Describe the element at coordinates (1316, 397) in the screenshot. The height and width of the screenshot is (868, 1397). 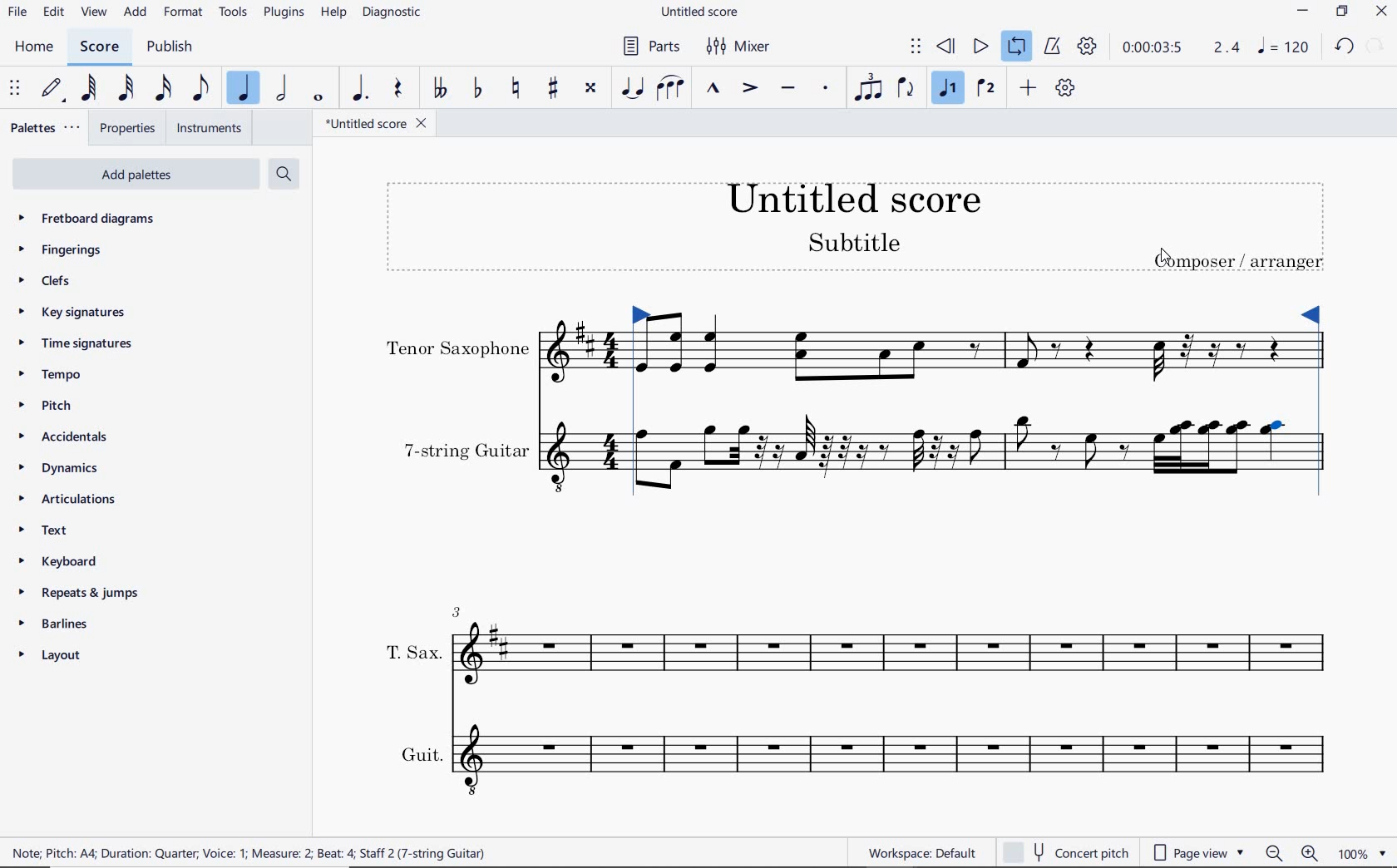
I see `Loop Market set right` at that location.